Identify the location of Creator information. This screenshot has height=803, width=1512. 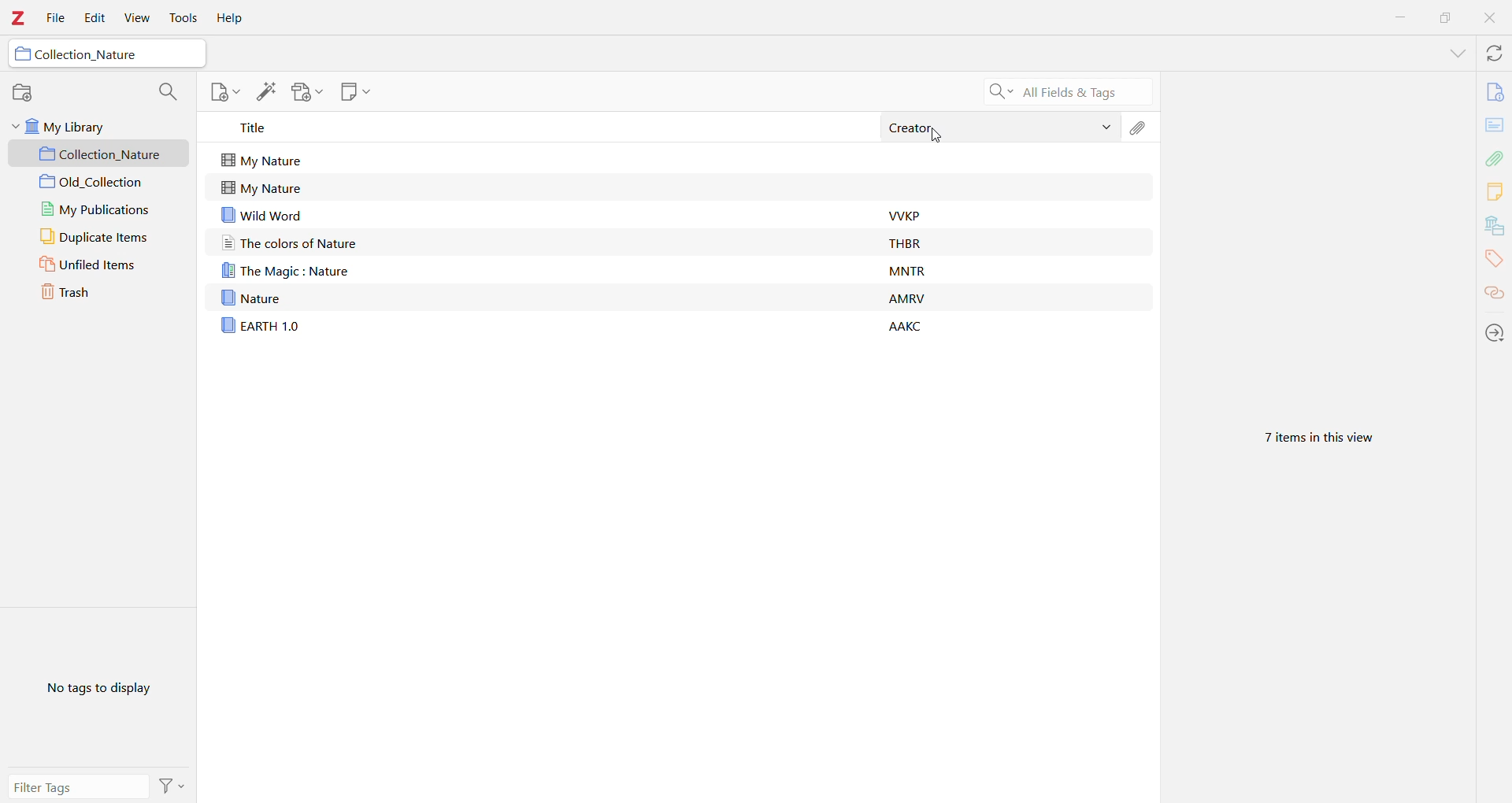
(910, 324).